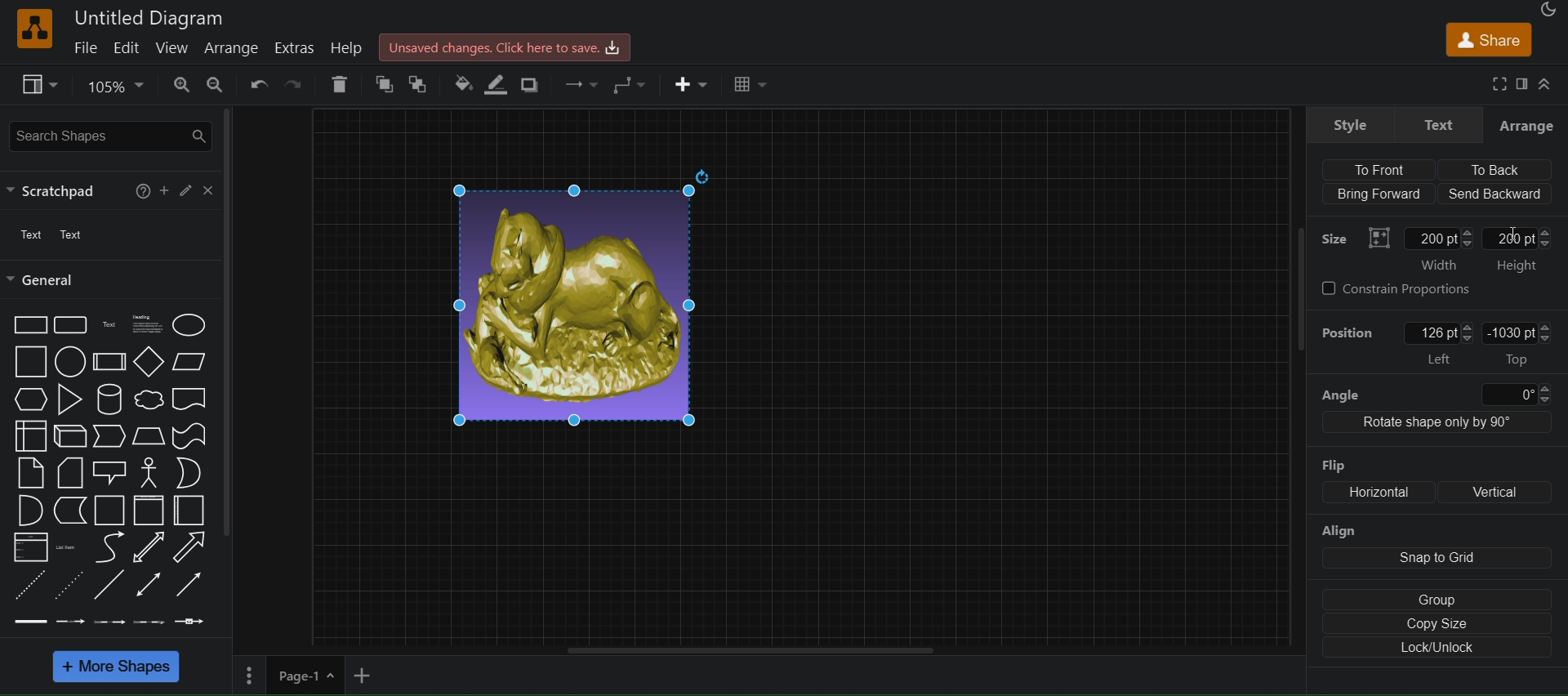  What do you see at coordinates (1379, 194) in the screenshot?
I see `Bring Forward (align)` at bounding box center [1379, 194].